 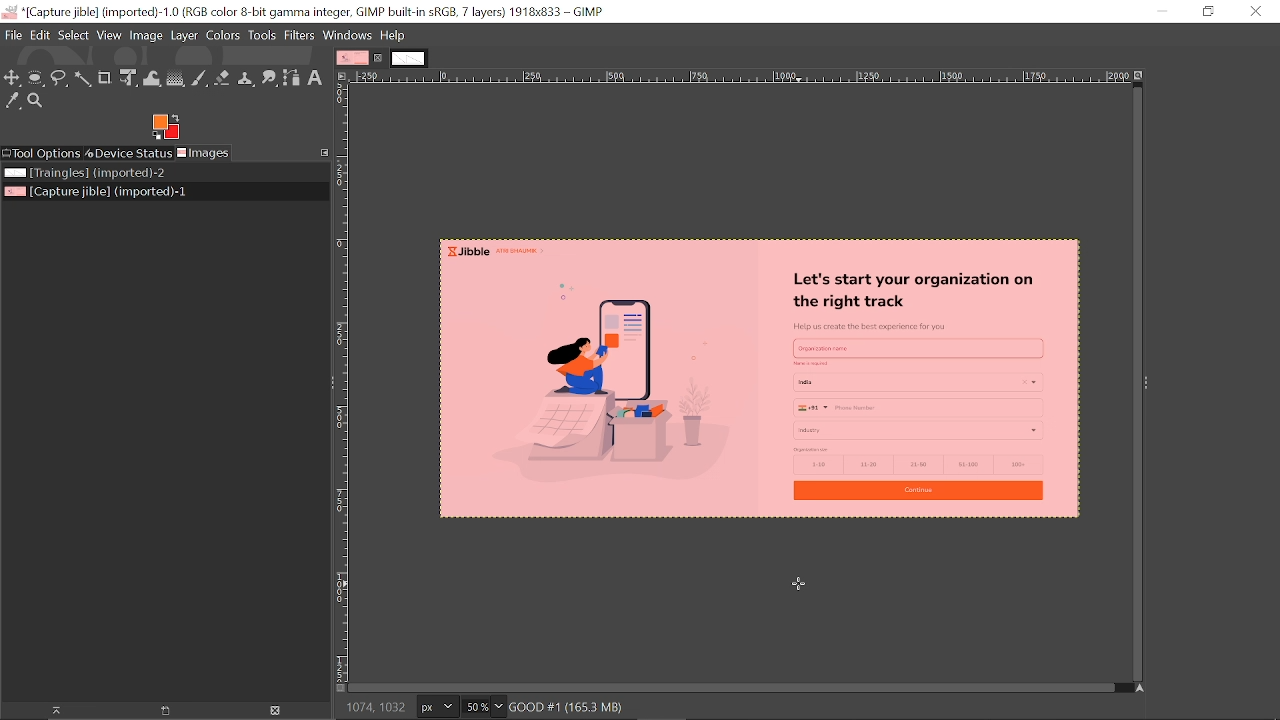 I want to click on Move tool, so click(x=13, y=78).